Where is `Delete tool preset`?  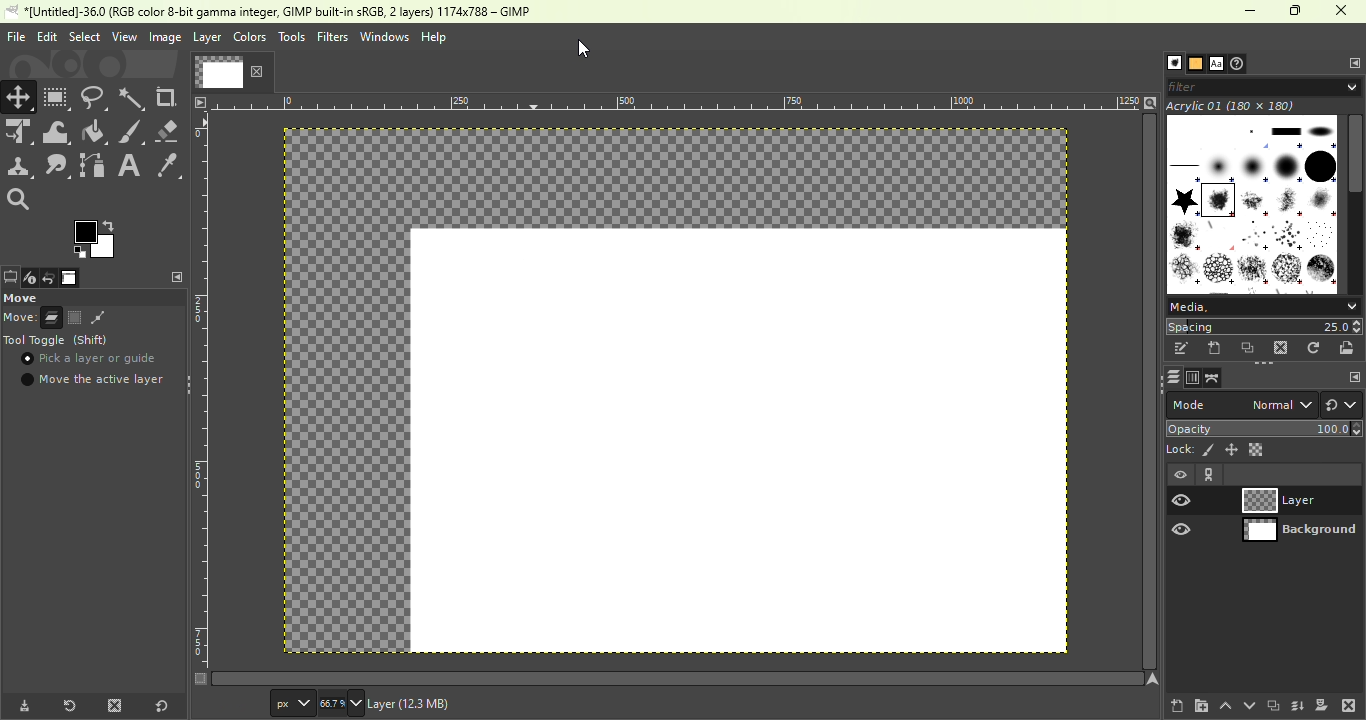
Delete tool preset is located at coordinates (114, 704).